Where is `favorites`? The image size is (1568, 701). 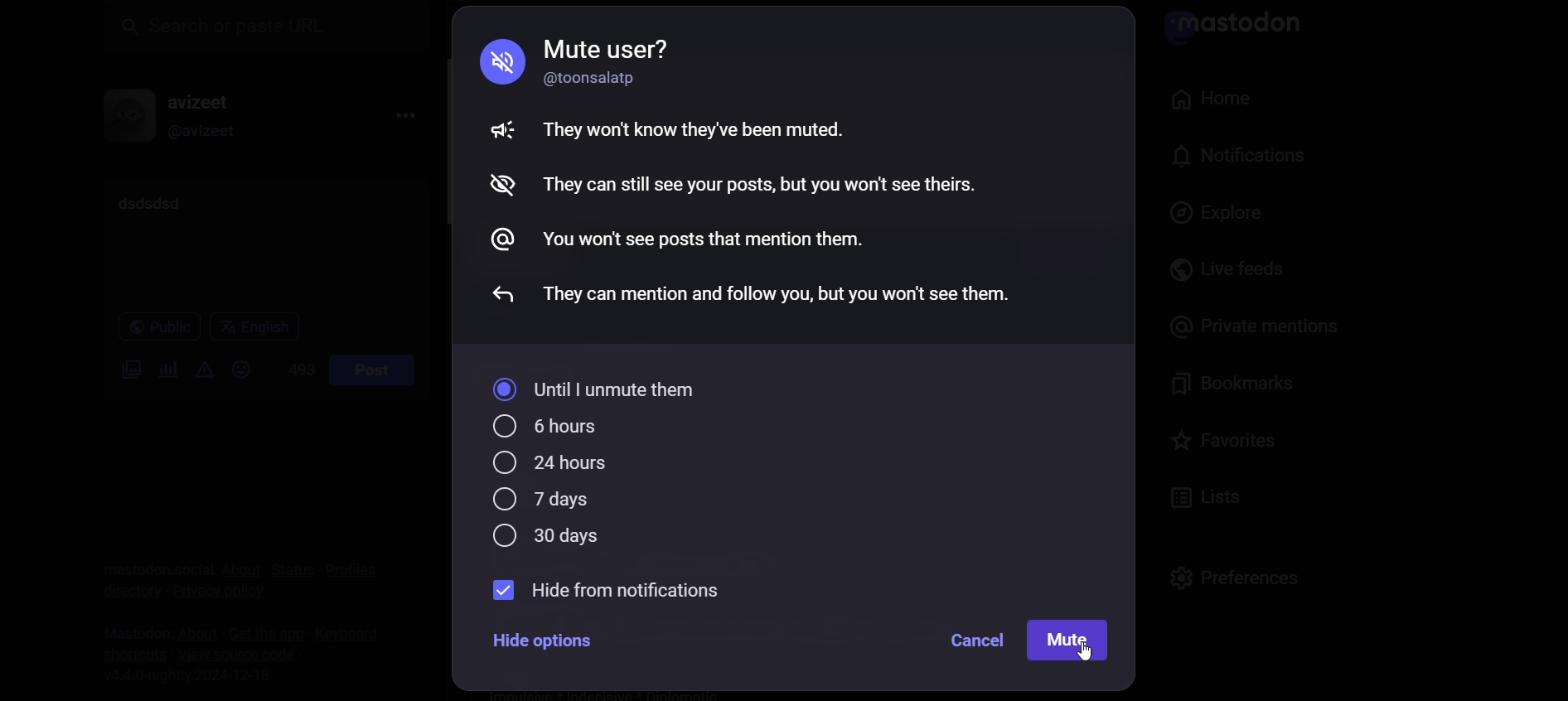 favorites is located at coordinates (1216, 441).